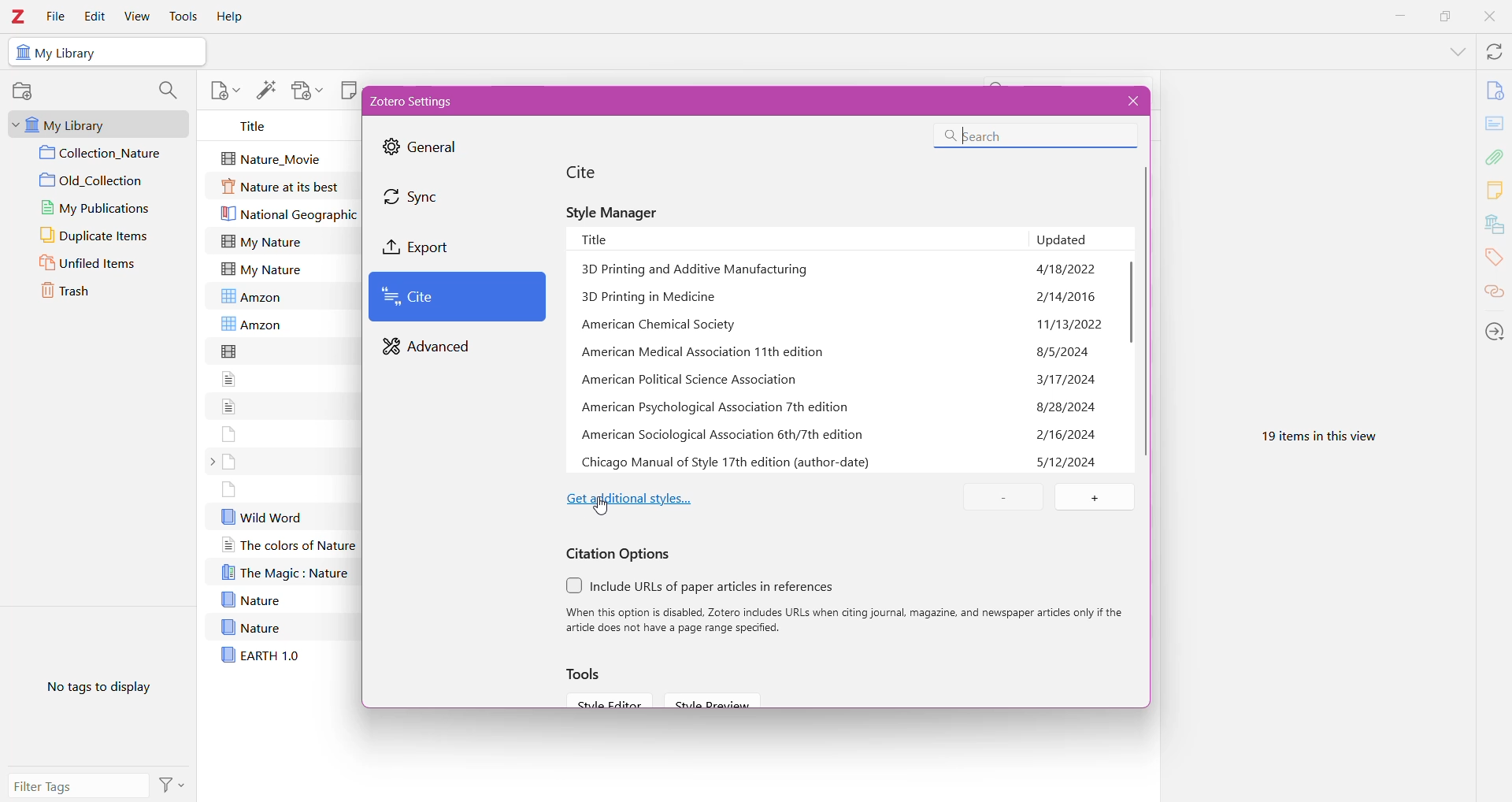 The width and height of the screenshot is (1512, 802). Describe the element at coordinates (1148, 315) in the screenshot. I see `Vertical Scroll Bar - Zotero Settings` at that location.